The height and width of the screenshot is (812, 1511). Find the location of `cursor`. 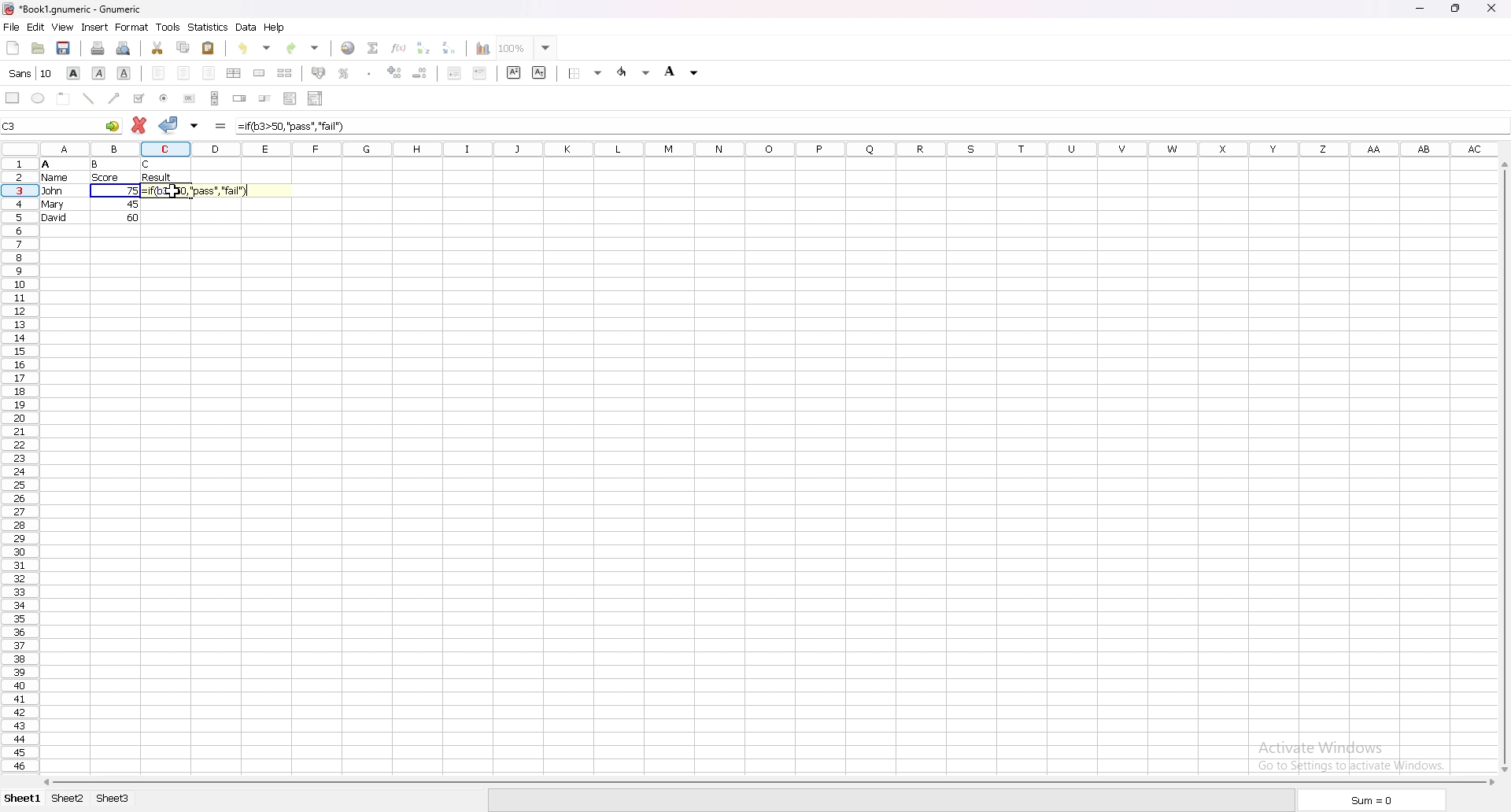

cursor is located at coordinates (173, 192).